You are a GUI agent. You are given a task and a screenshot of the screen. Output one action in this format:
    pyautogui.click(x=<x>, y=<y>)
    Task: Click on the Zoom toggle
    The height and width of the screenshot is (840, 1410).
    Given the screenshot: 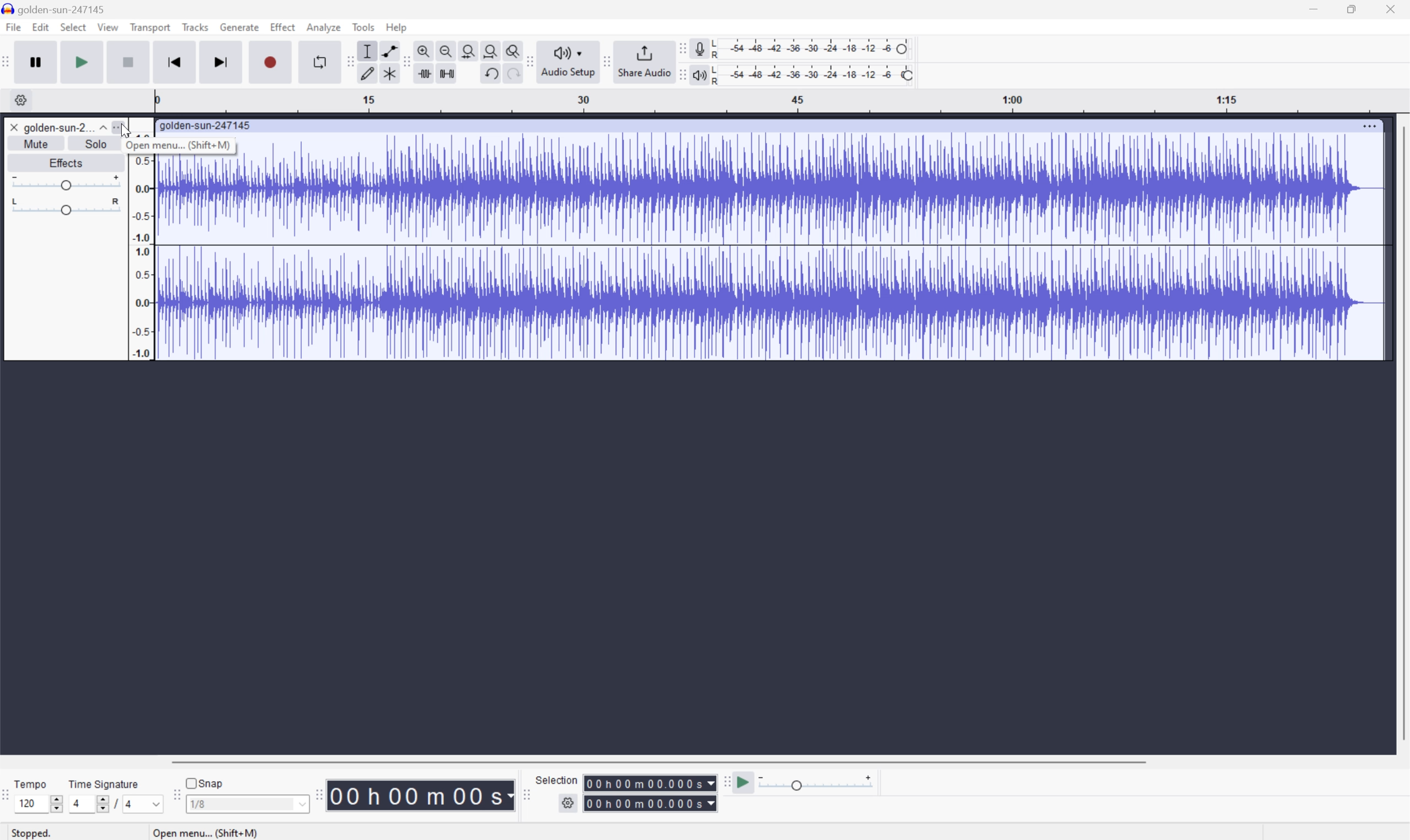 What is the action you would take?
    pyautogui.click(x=511, y=49)
    